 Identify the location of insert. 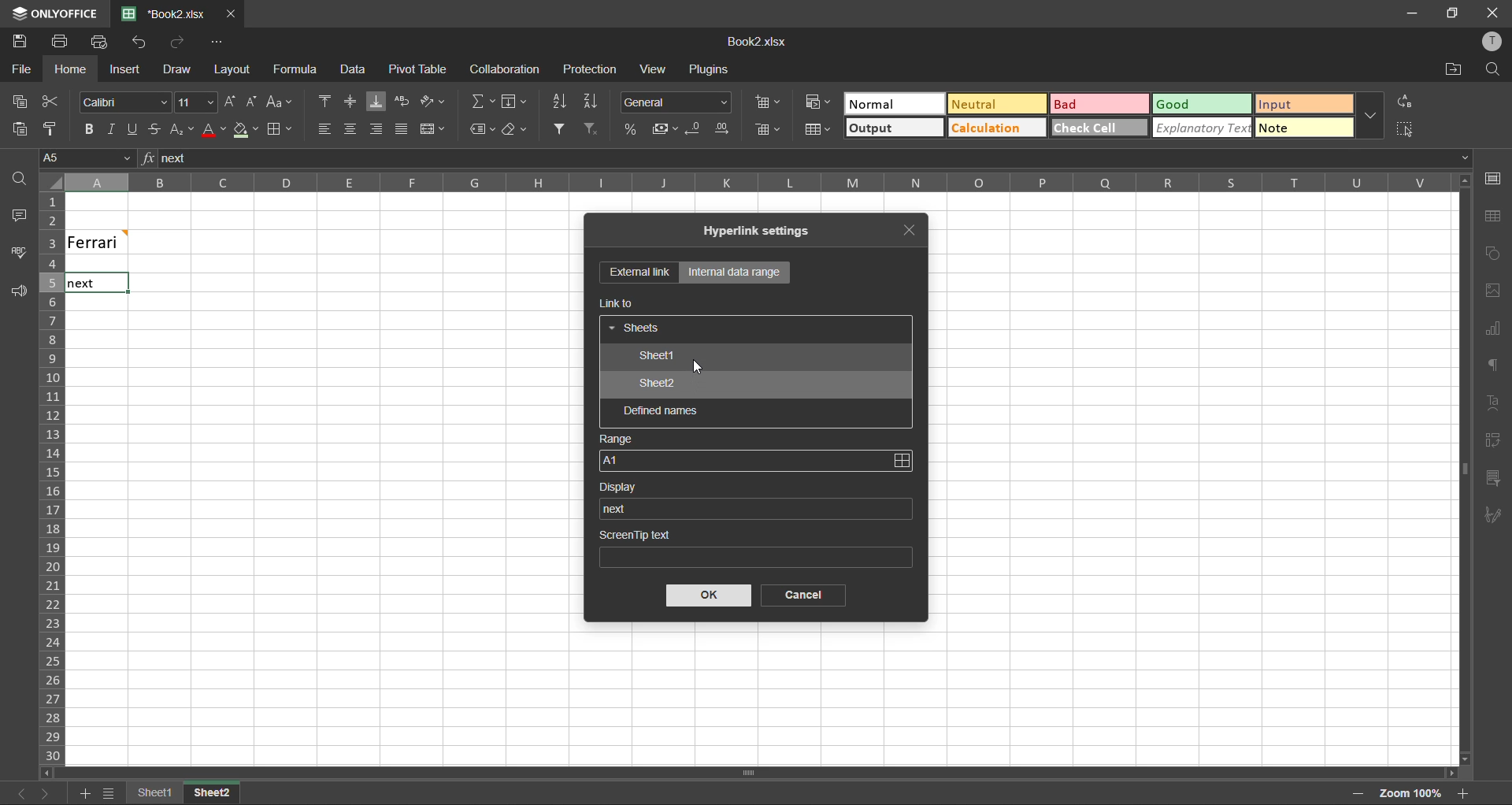
(122, 69).